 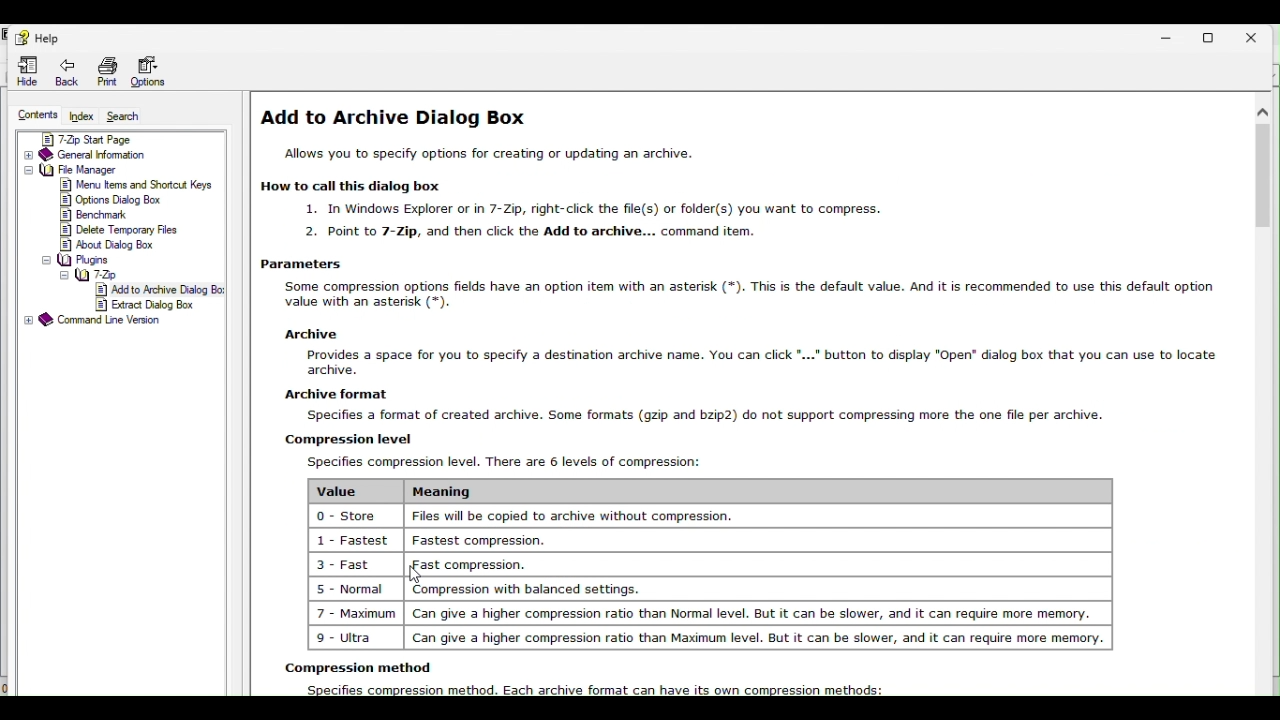 I want to click on Options, so click(x=159, y=71).